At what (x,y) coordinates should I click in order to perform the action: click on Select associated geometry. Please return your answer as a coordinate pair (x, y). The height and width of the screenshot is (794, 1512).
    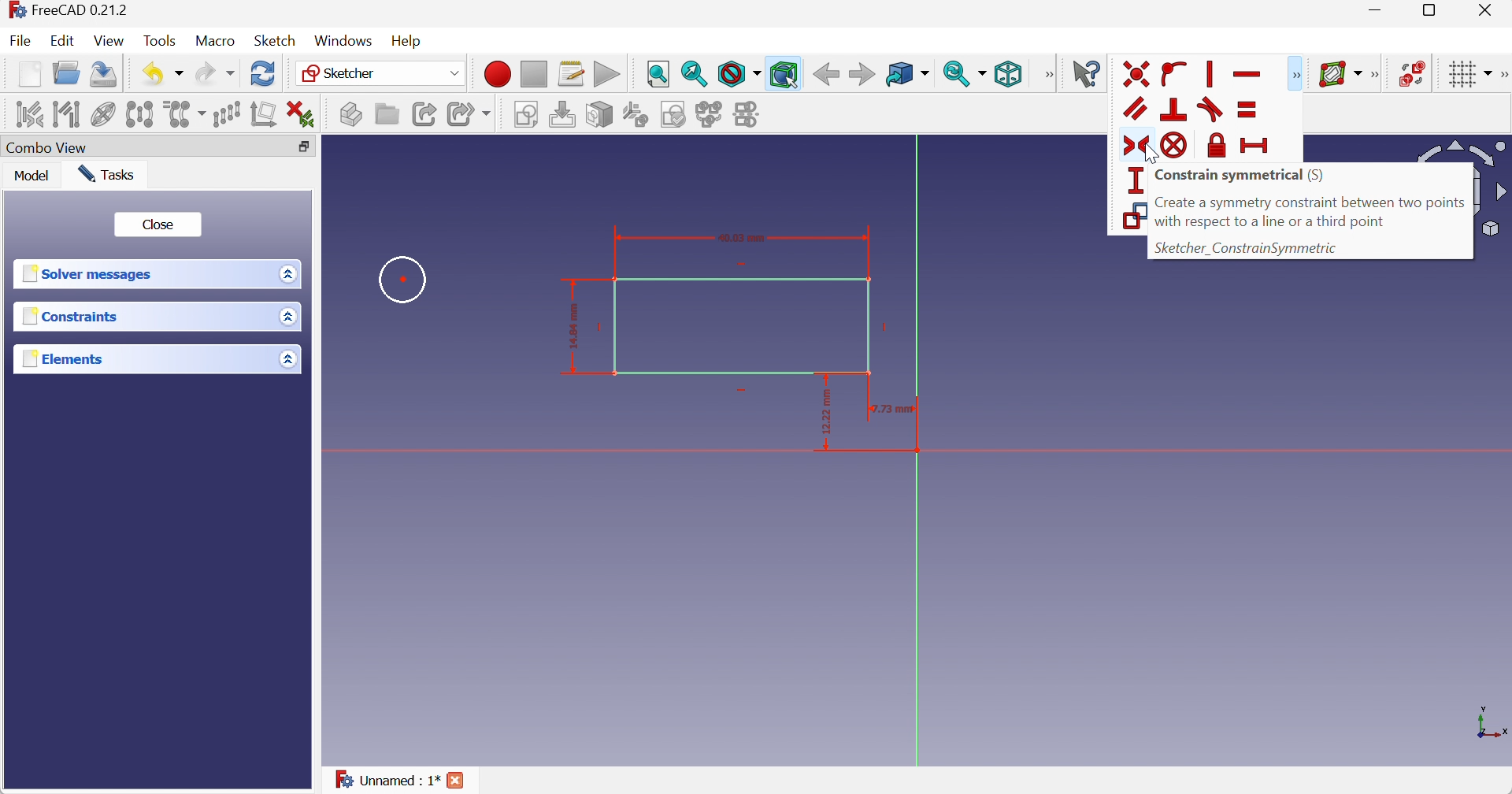
    Looking at the image, I should click on (69, 114).